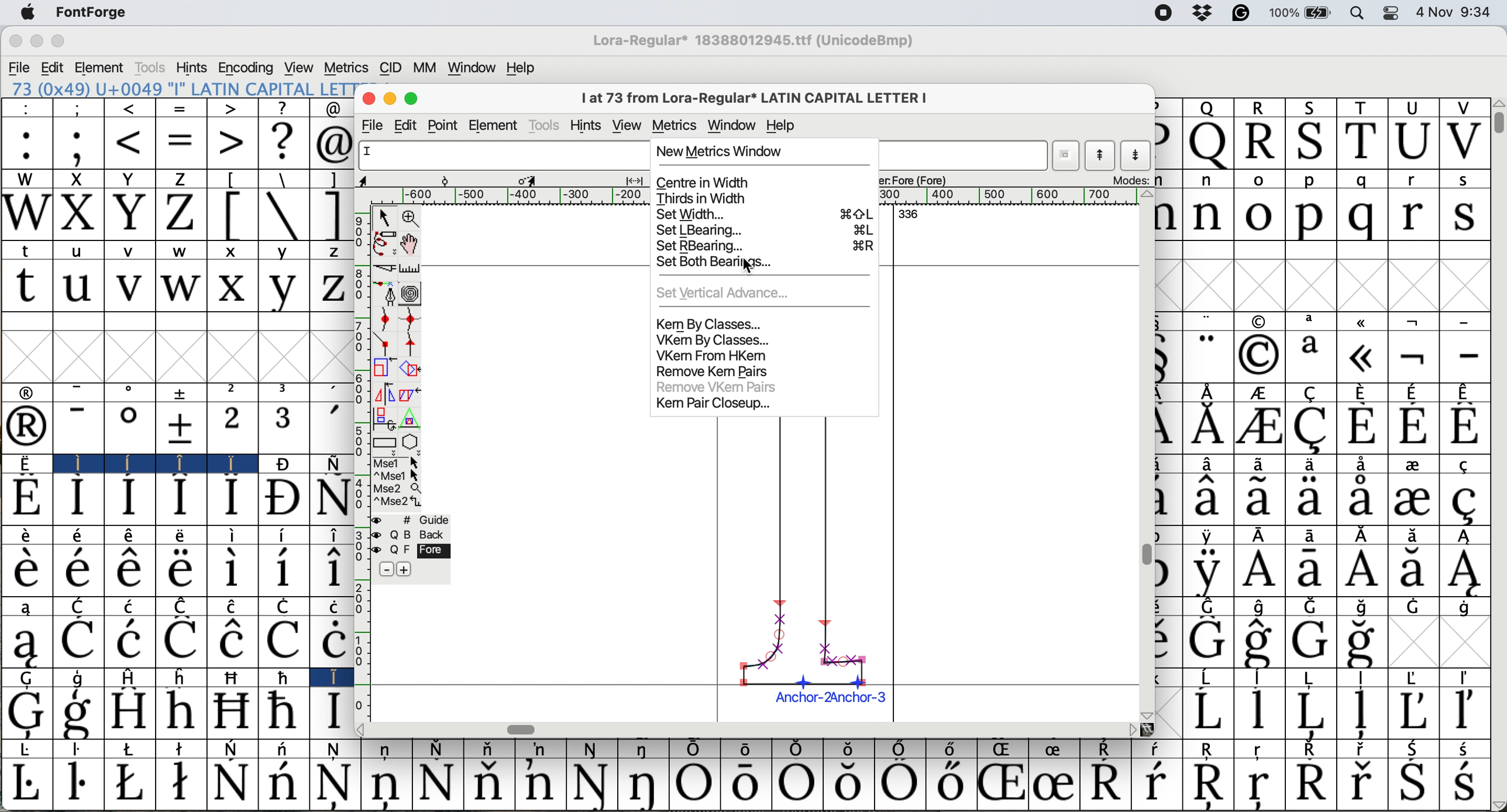 The image size is (1507, 812). Describe the element at coordinates (180, 712) in the screenshot. I see `Symbol` at that location.